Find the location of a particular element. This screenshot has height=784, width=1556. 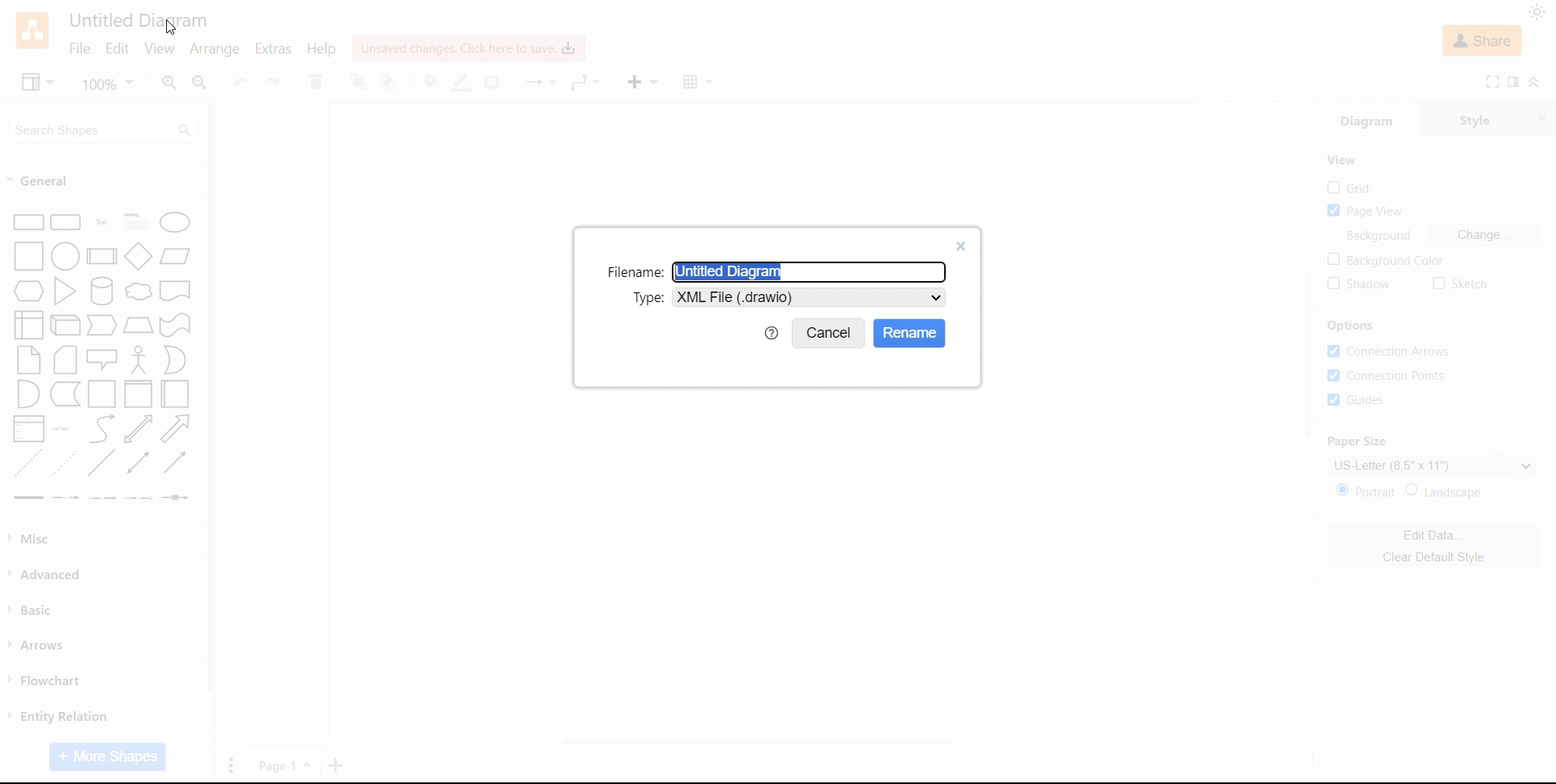

Zoom out  is located at coordinates (201, 83).